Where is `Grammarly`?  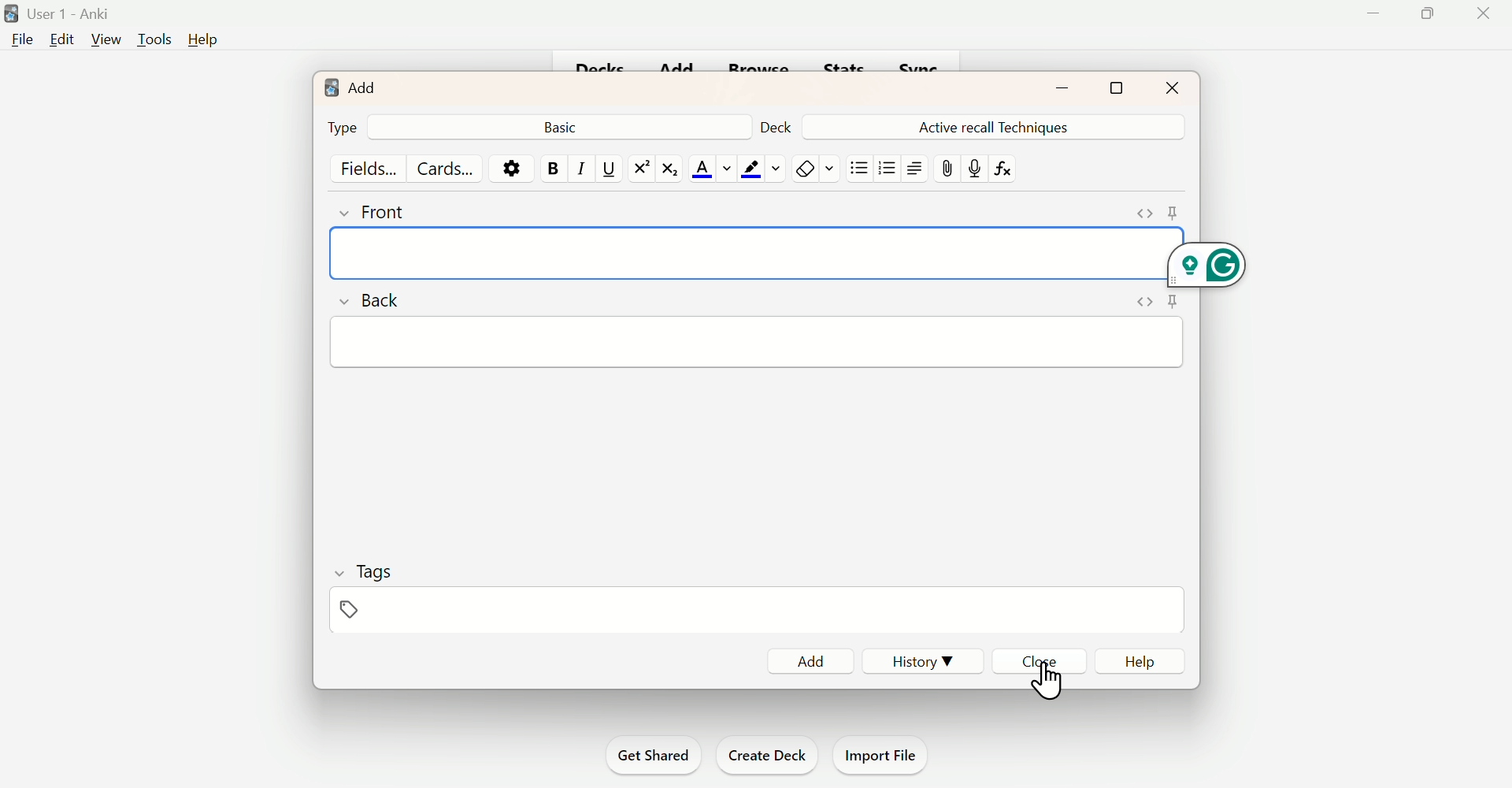 Grammarly is located at coordinates (1209, 255).